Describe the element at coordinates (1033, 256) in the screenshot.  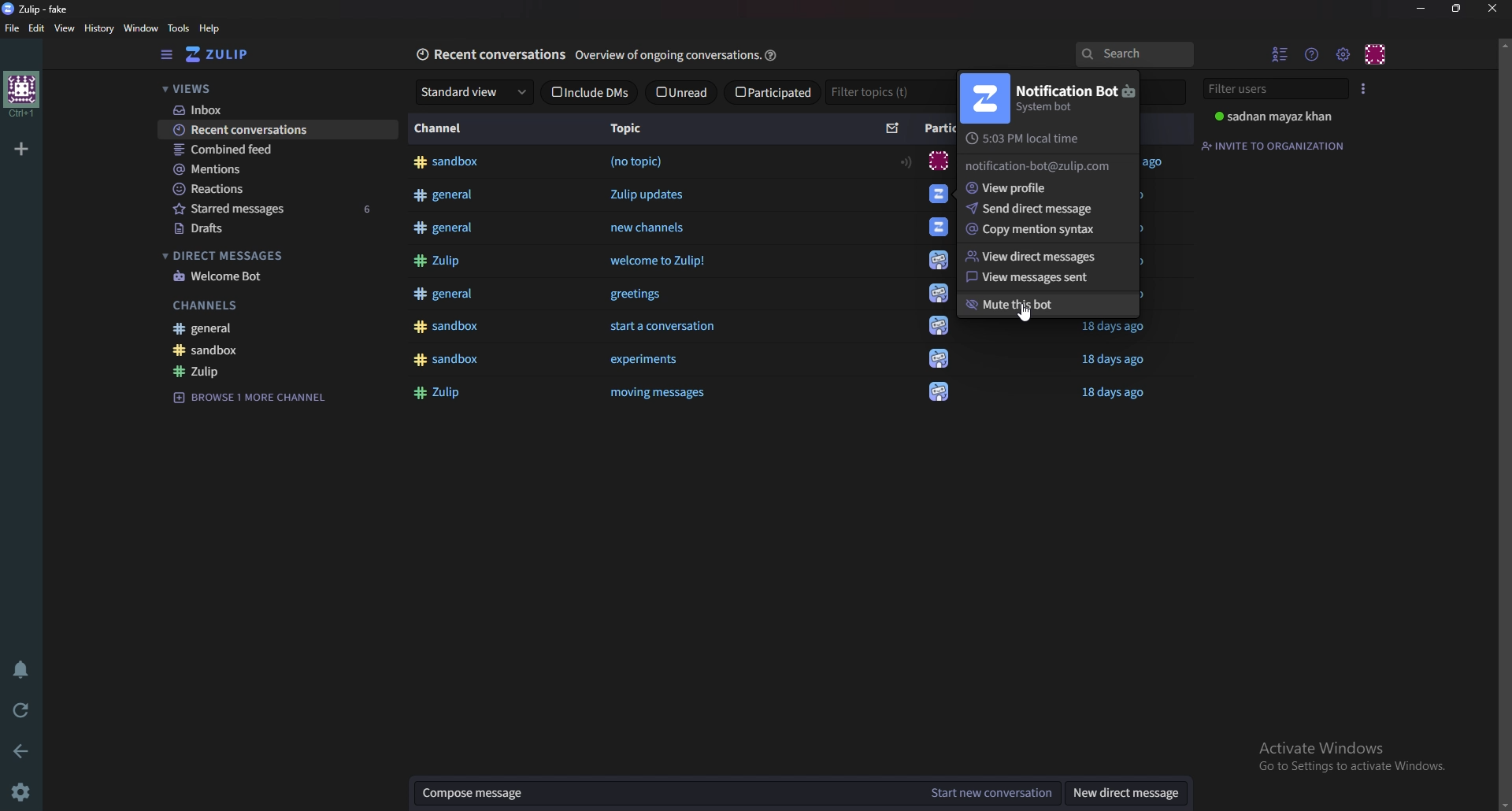
I see `view direct messages` at that location.